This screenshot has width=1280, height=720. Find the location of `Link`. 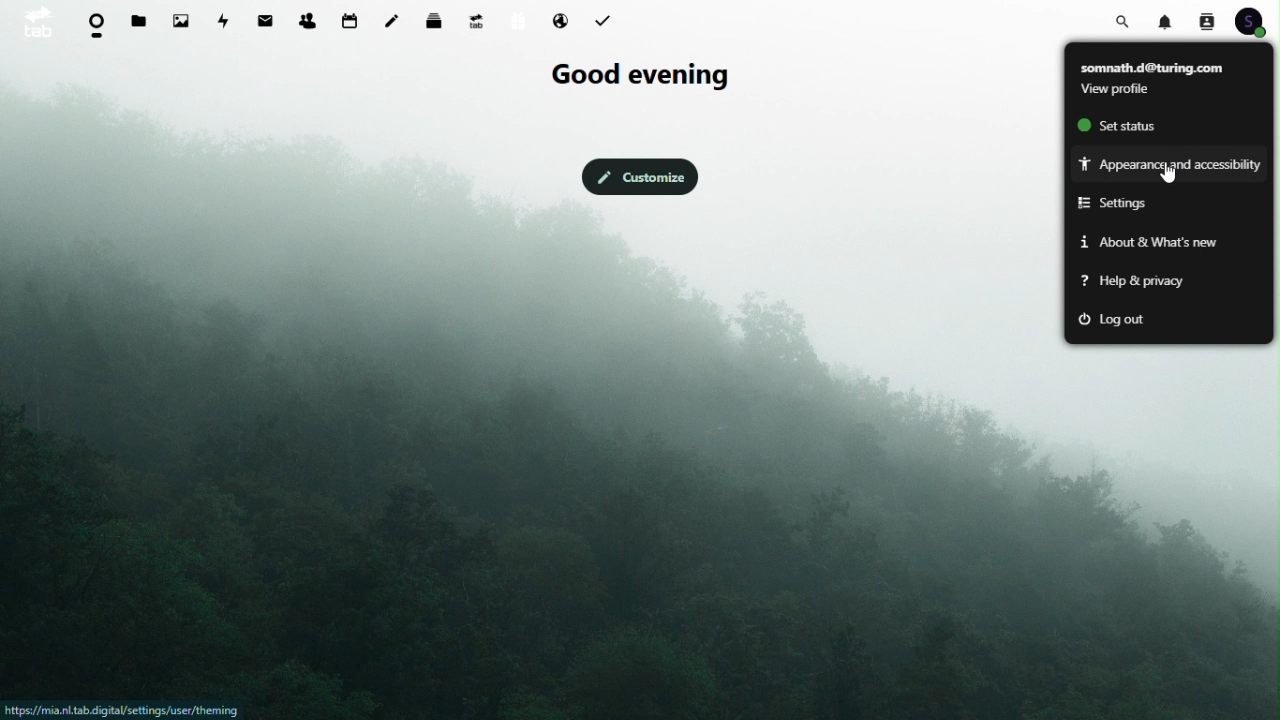

Link is located at coordinates (124, 710).